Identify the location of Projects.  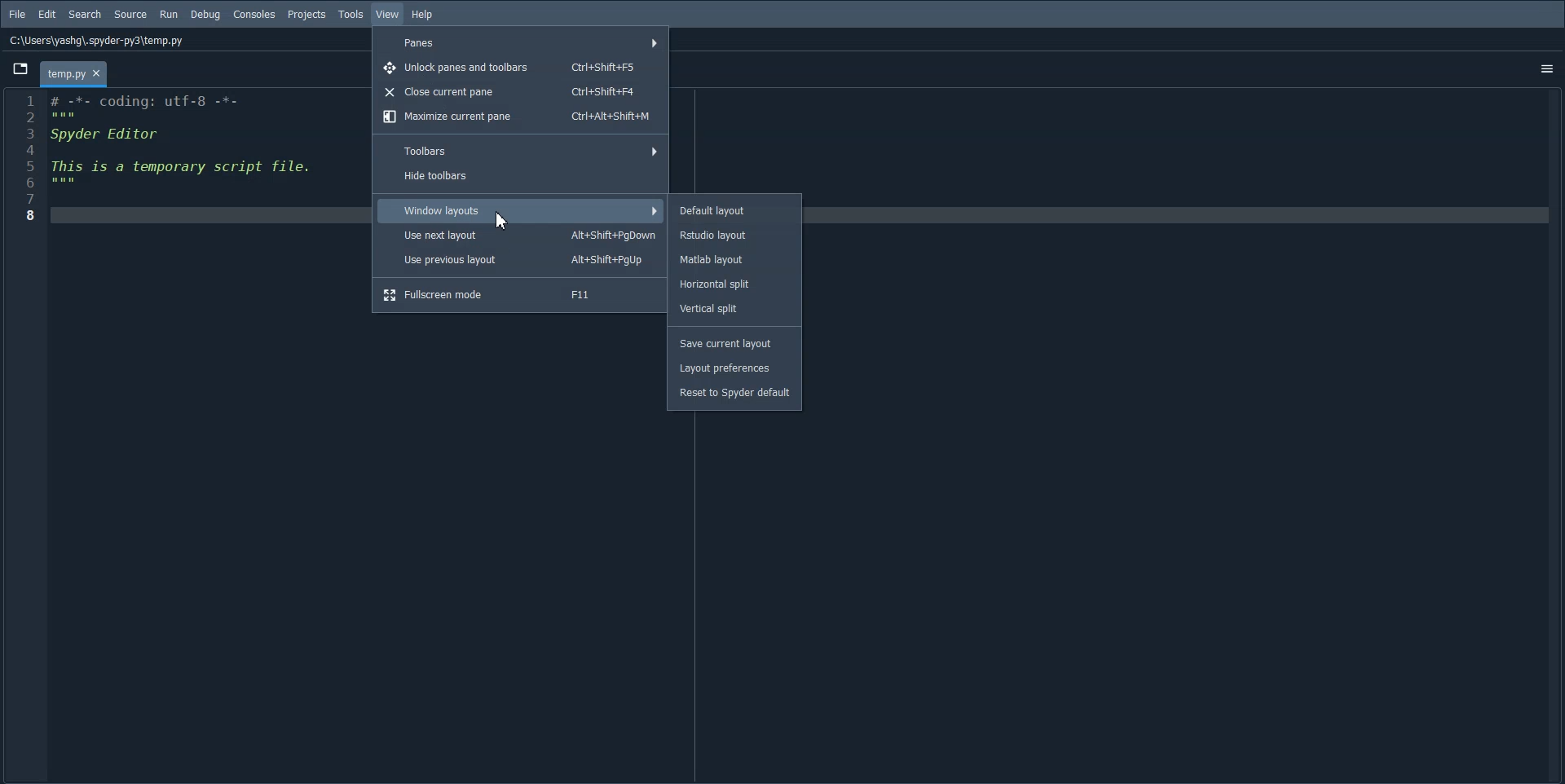
(307, 15).